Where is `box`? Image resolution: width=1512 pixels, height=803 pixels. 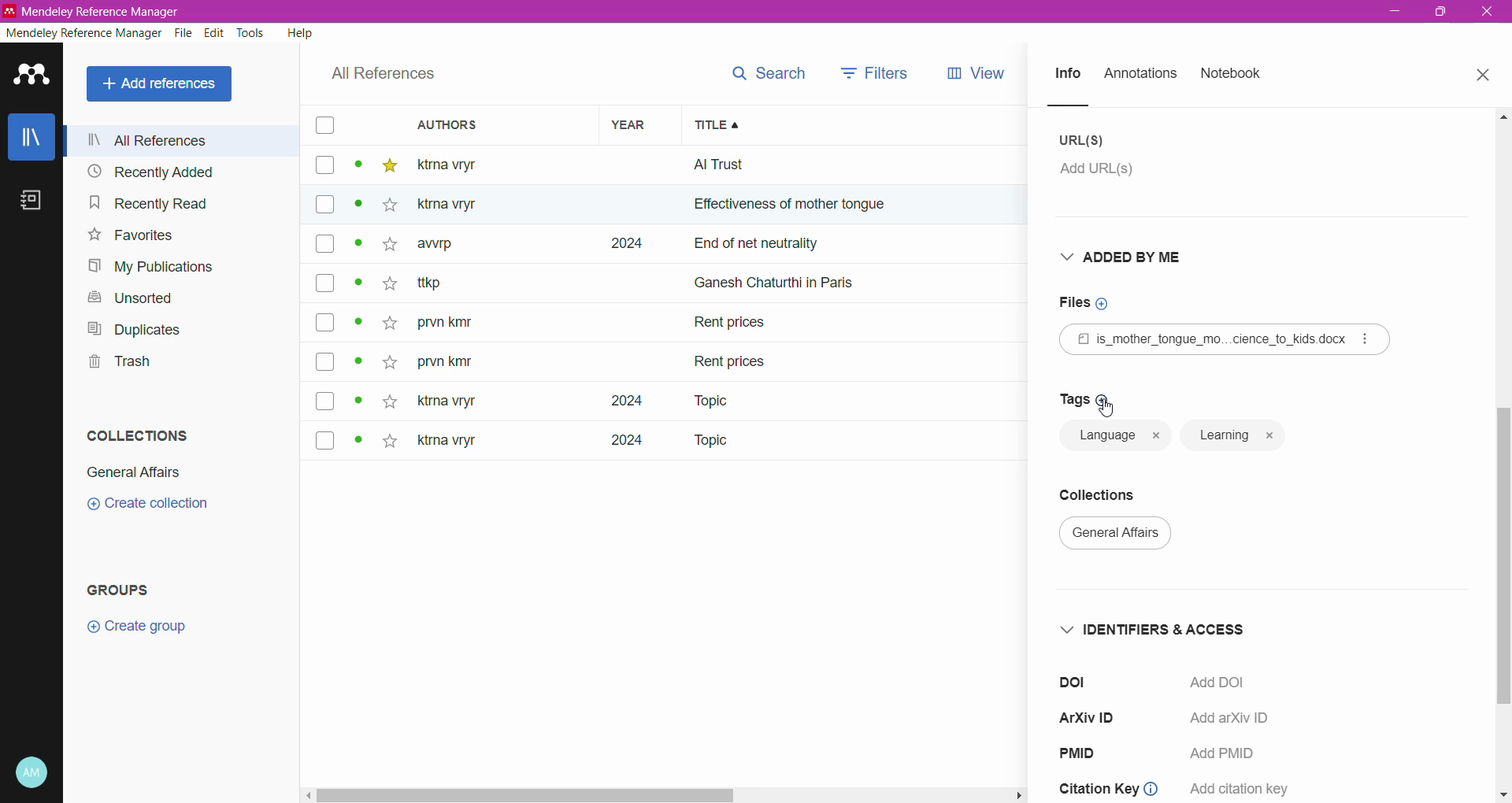 box is located at coordinates (324, 166).